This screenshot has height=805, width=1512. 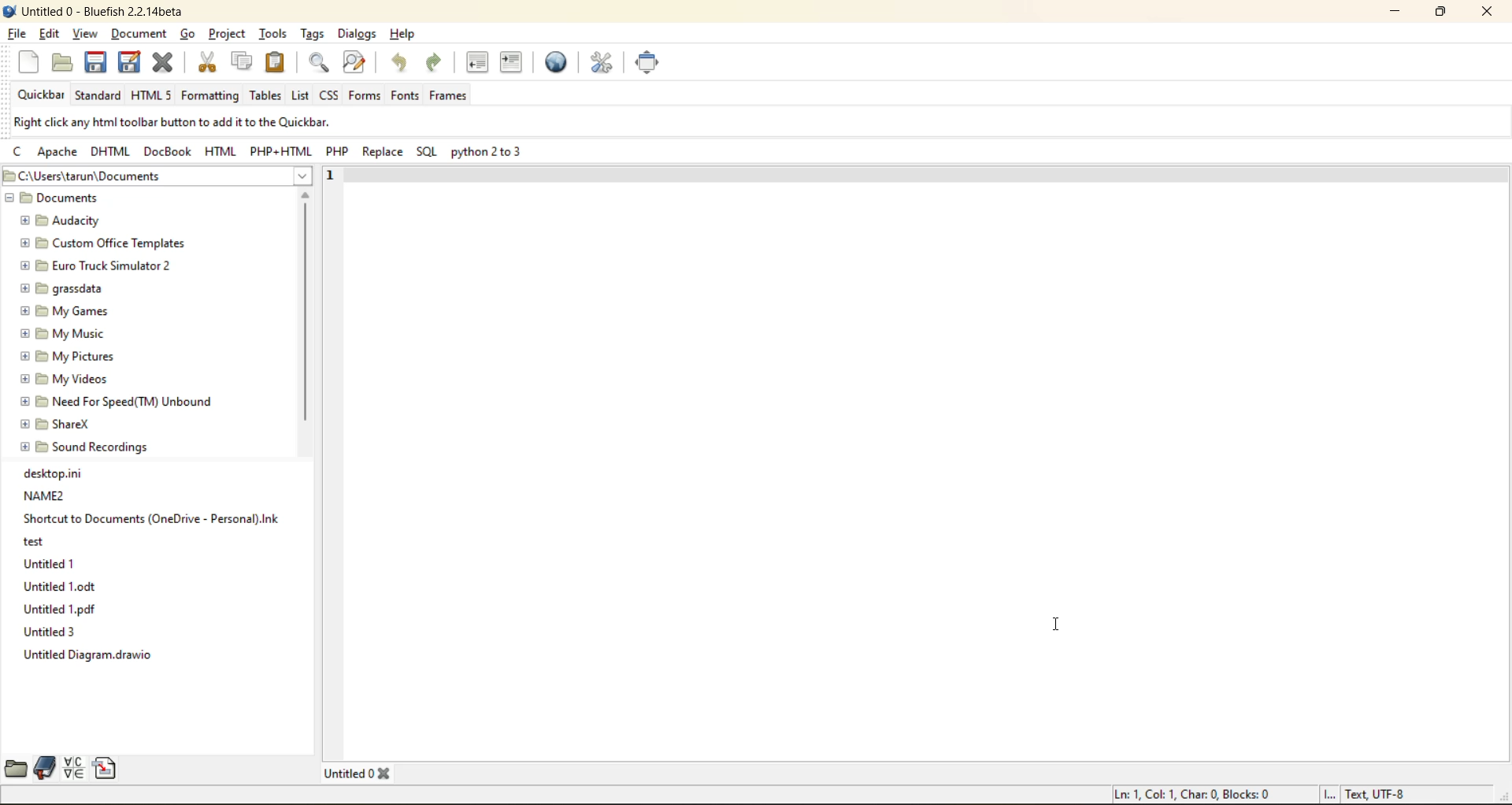 I want to click on Untitled Diagram.drawio, so click(x=94, y=657).